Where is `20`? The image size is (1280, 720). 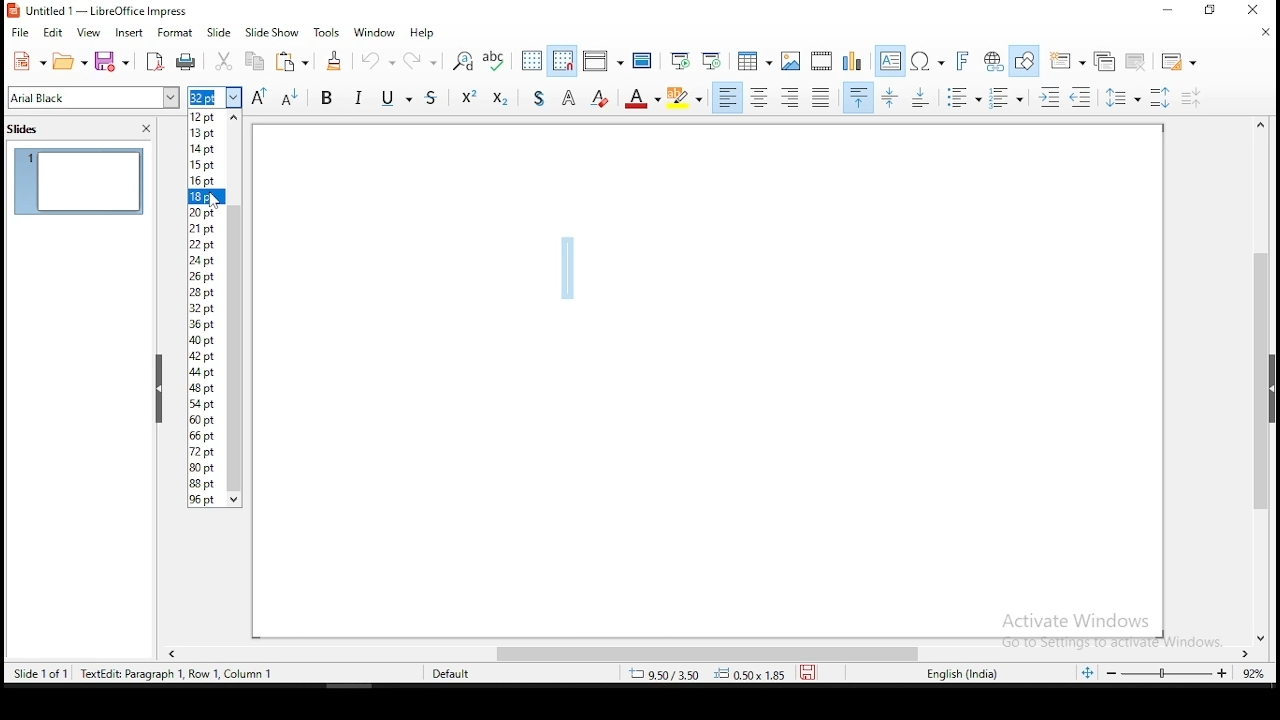
20 is located at coordinates (207, 211).